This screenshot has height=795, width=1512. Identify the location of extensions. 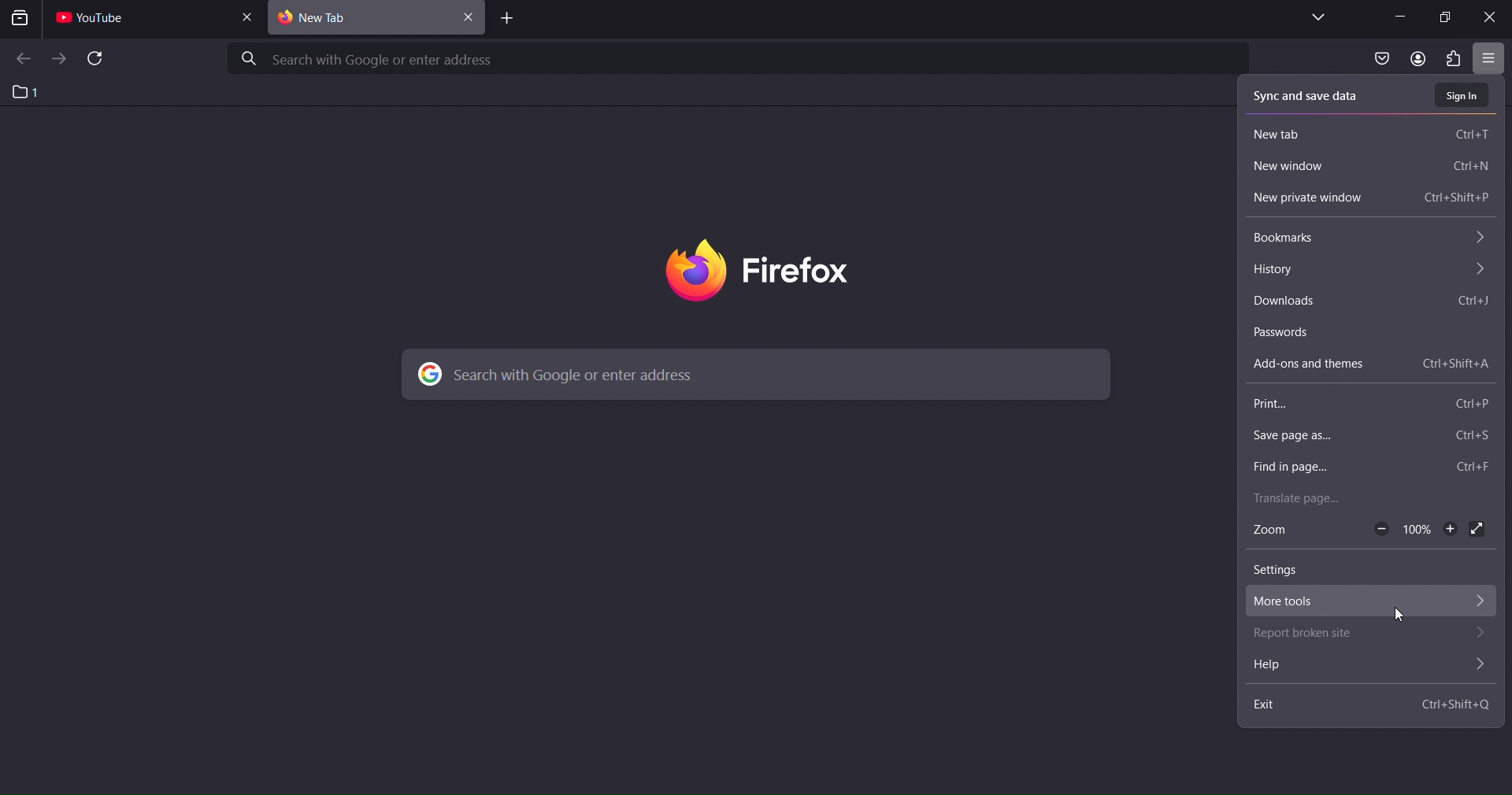
(1456, 59).